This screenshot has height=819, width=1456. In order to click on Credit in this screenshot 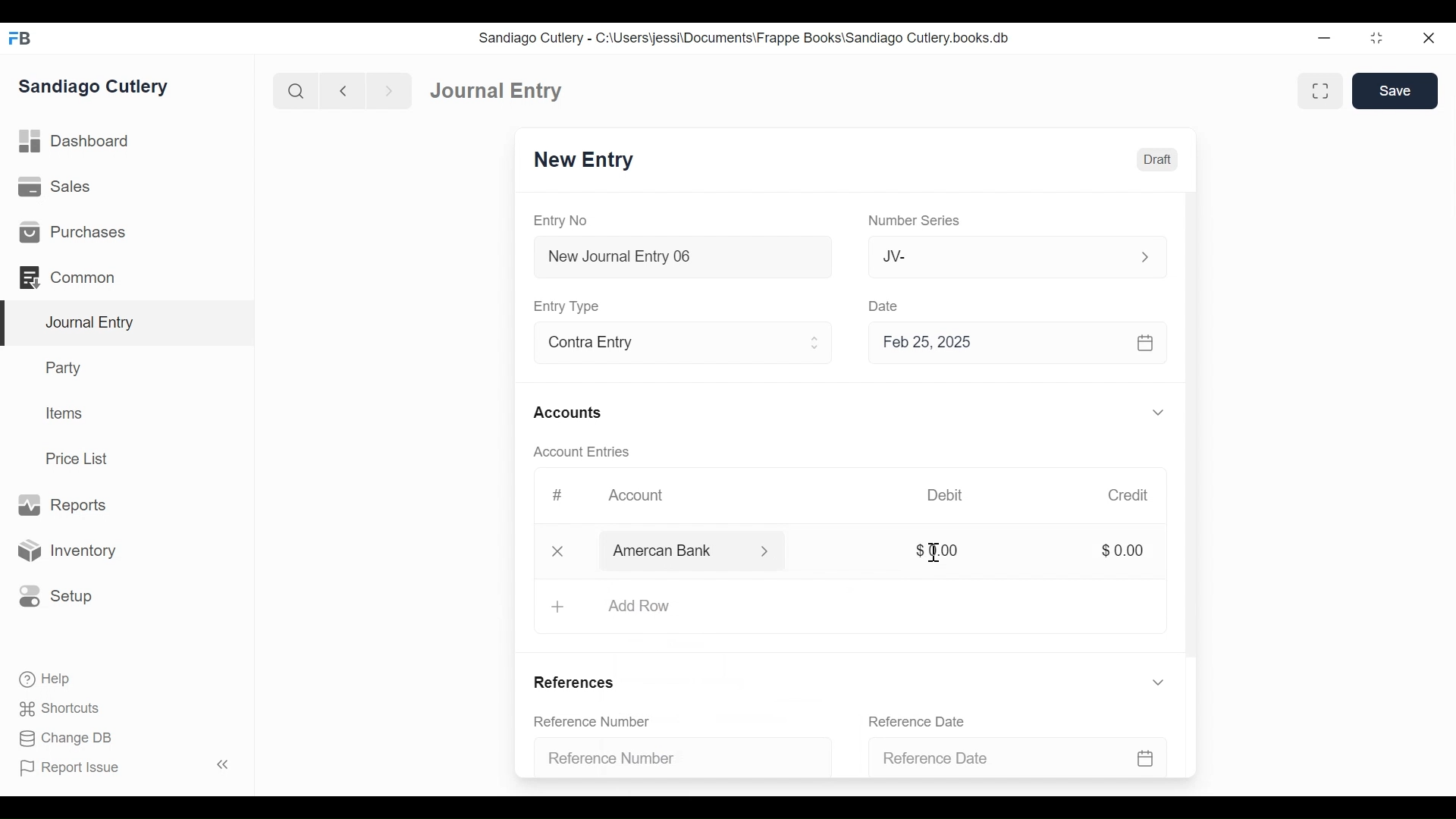, I will do `click(1127, 495)`.